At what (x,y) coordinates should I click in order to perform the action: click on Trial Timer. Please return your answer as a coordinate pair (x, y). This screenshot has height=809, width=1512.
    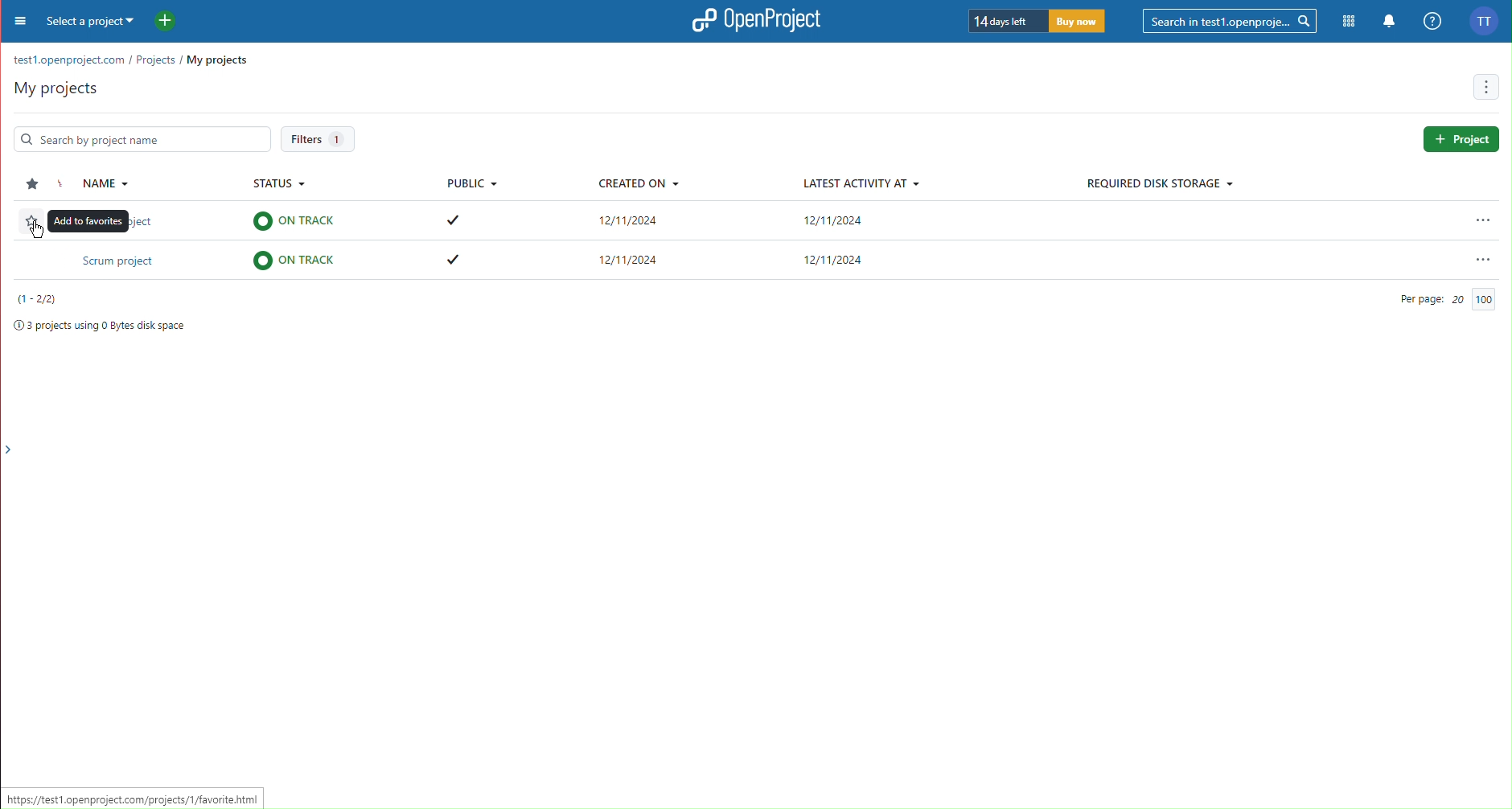
    Looking at the image, I should click on (1040, 23).